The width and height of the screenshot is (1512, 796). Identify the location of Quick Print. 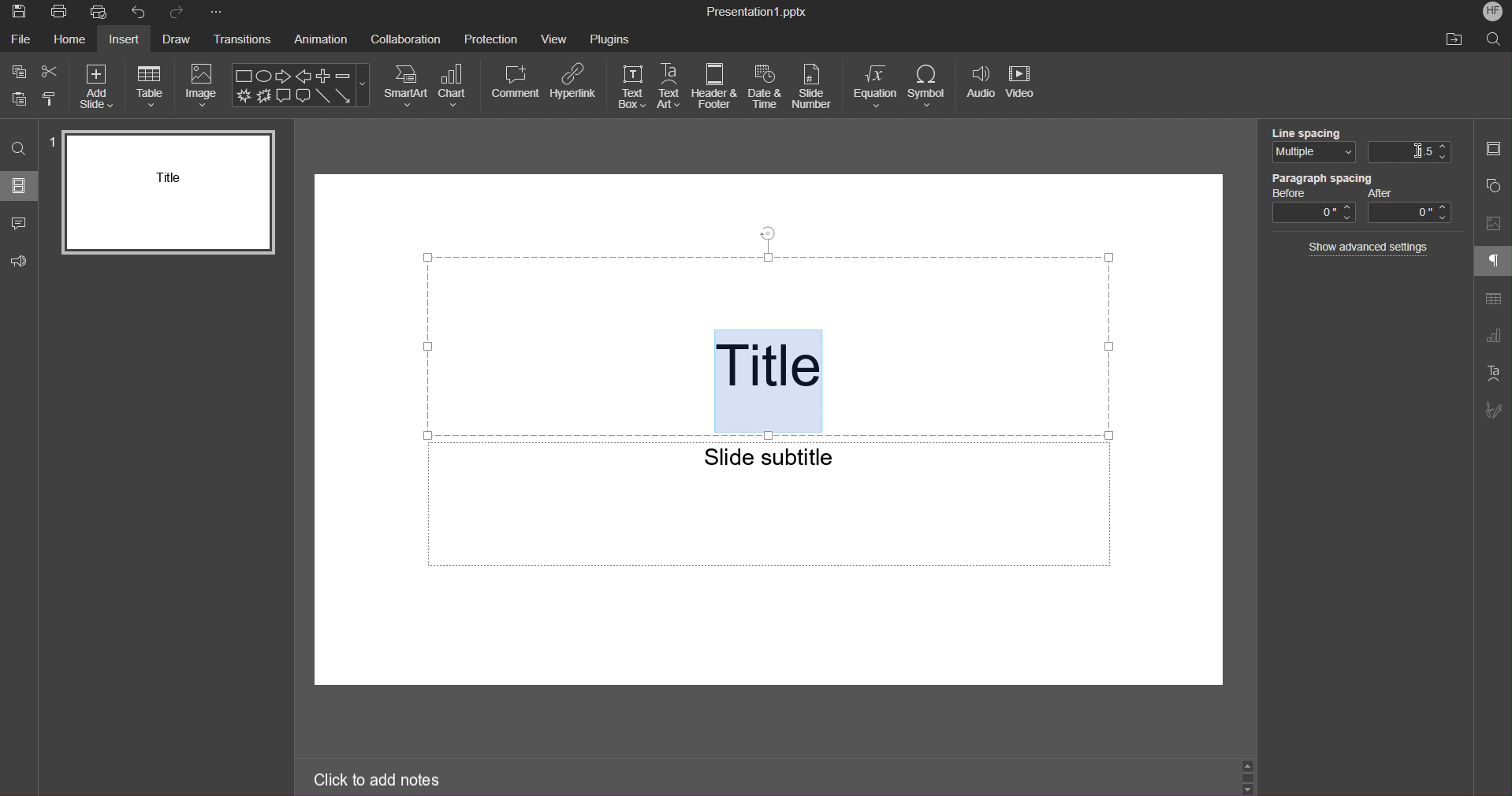
(102, 13).